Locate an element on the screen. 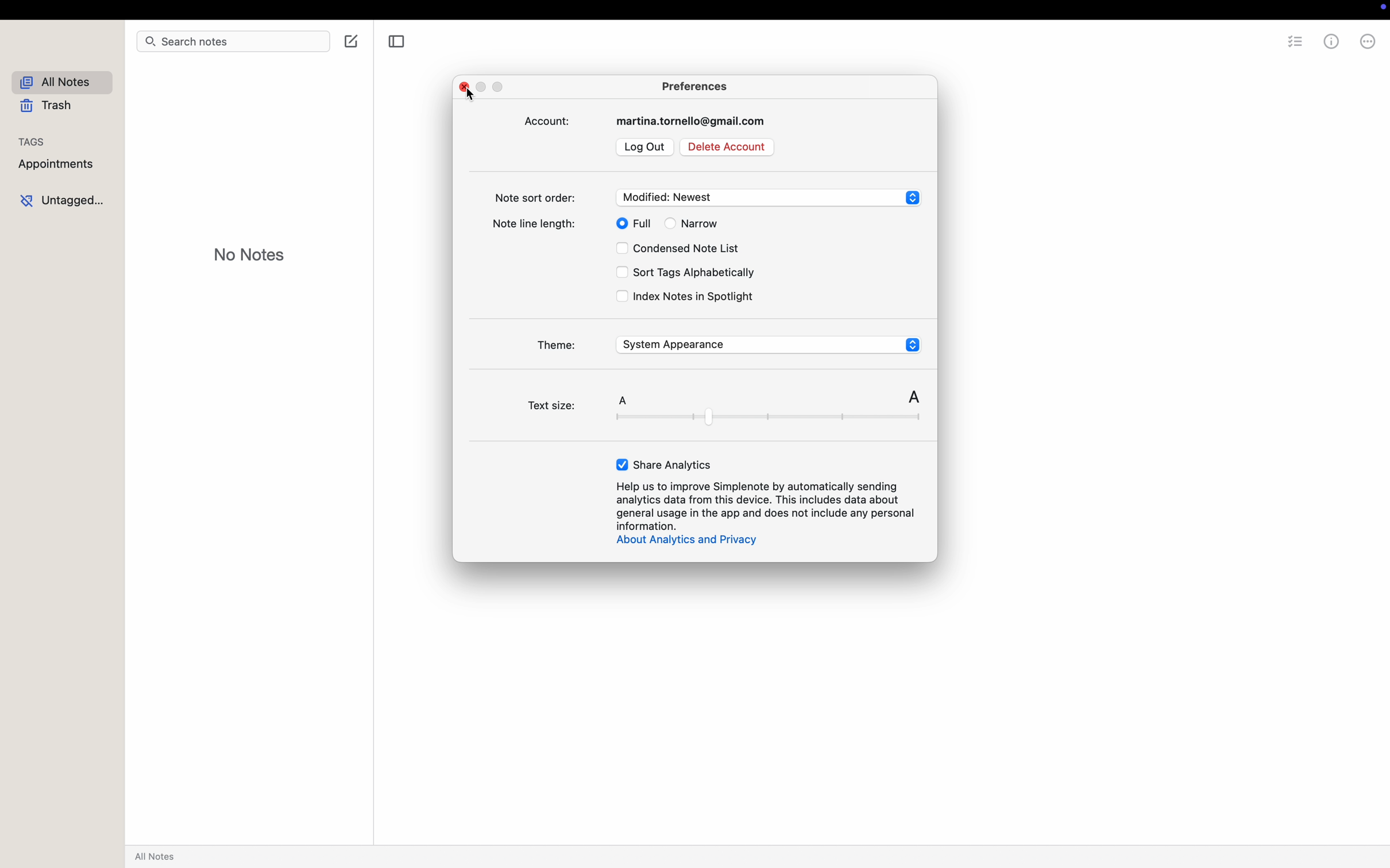 The height and width of the screenshot is (868, 1390). no notes is located at coordinates (248, 255).